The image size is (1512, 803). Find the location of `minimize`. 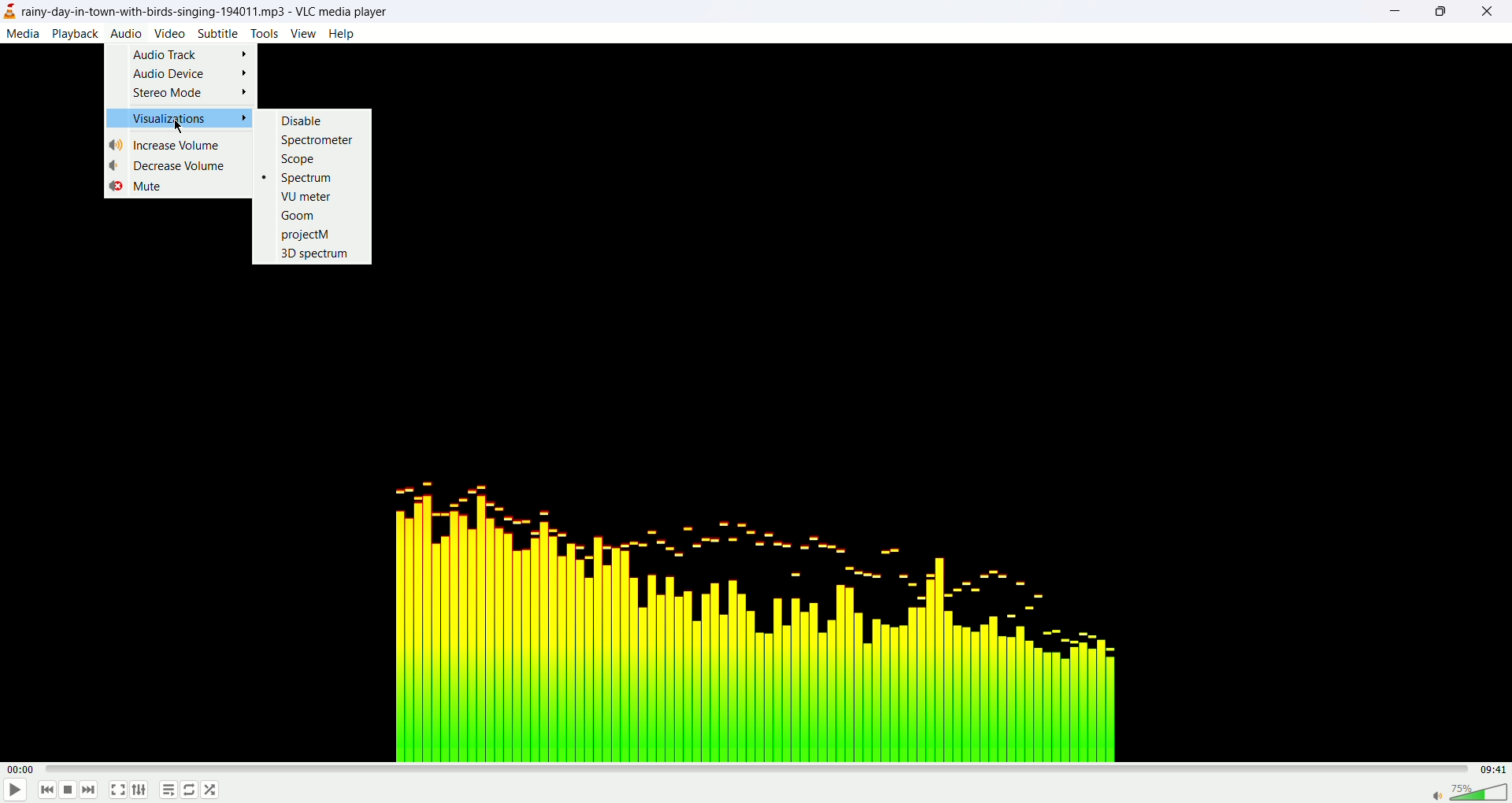

minimize is located at coordinates (1393, 13).